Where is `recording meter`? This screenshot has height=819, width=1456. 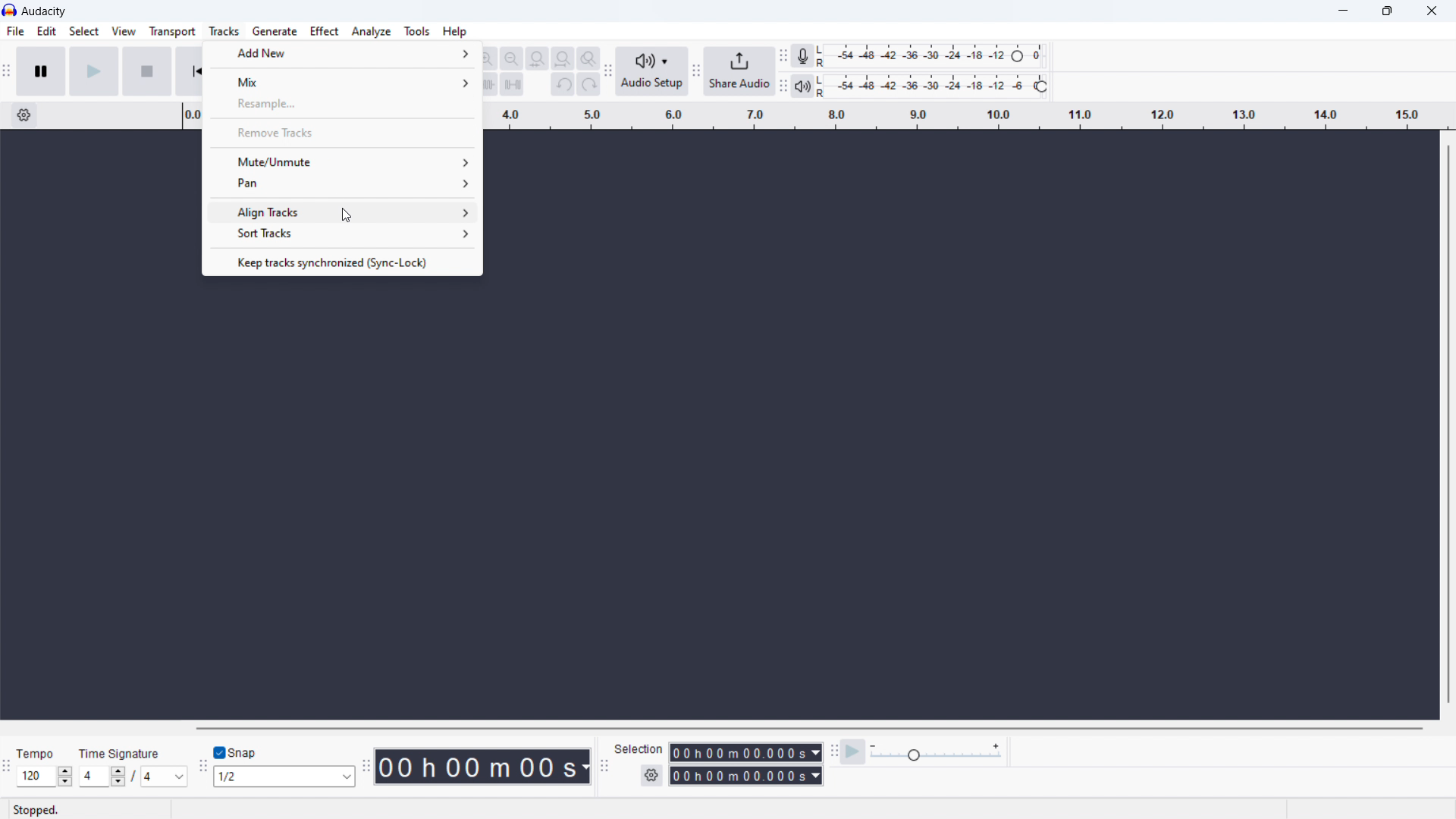 recording meter is located at coordinates (803, 56).